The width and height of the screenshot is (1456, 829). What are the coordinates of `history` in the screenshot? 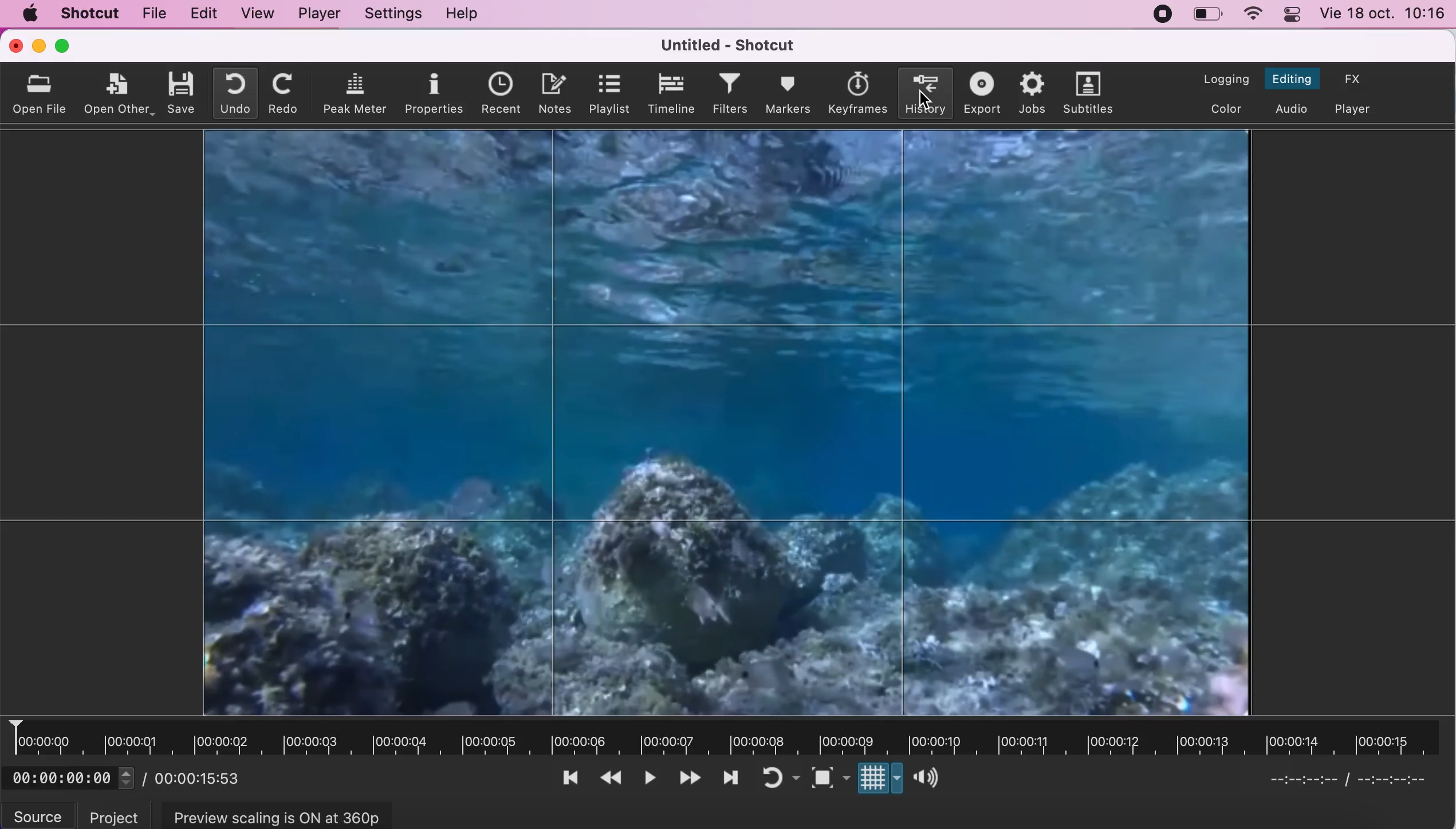 It's located at (924, 92).